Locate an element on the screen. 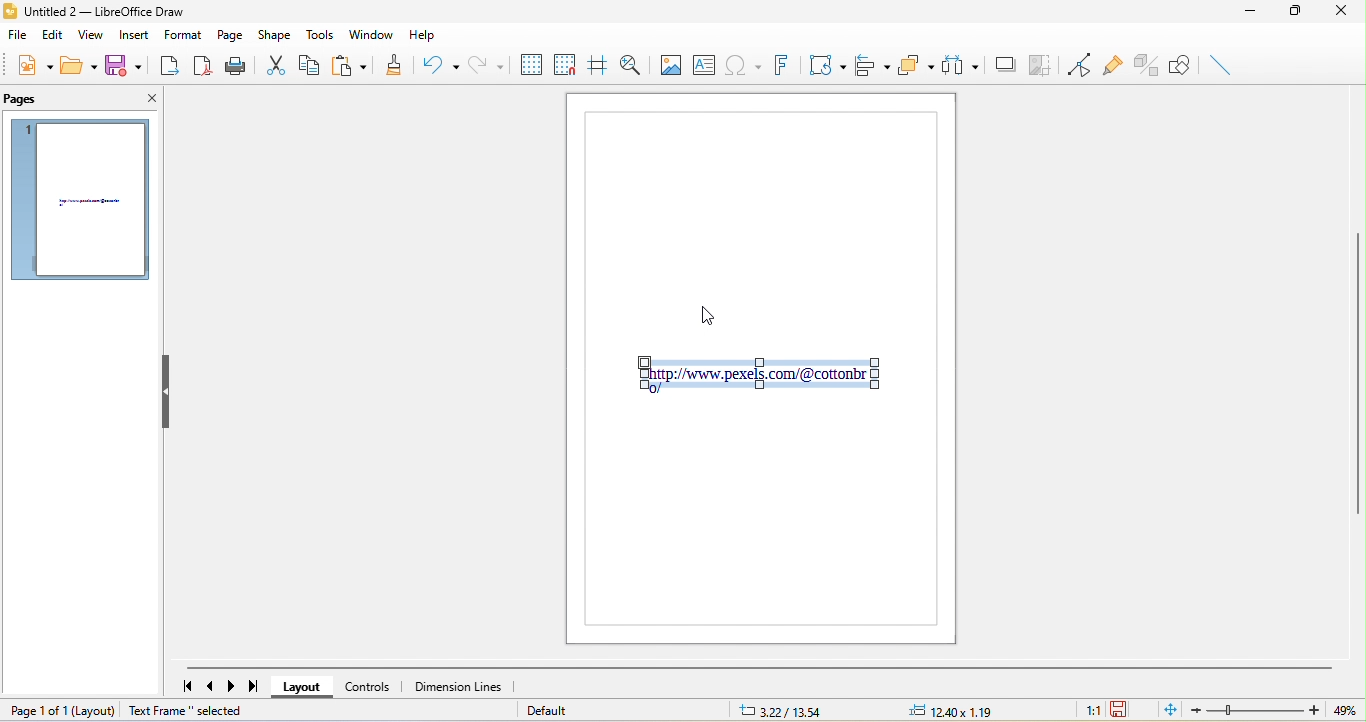 The width and height of the screenshot is (1366, 722). text box is located at coordinates (704, 65).